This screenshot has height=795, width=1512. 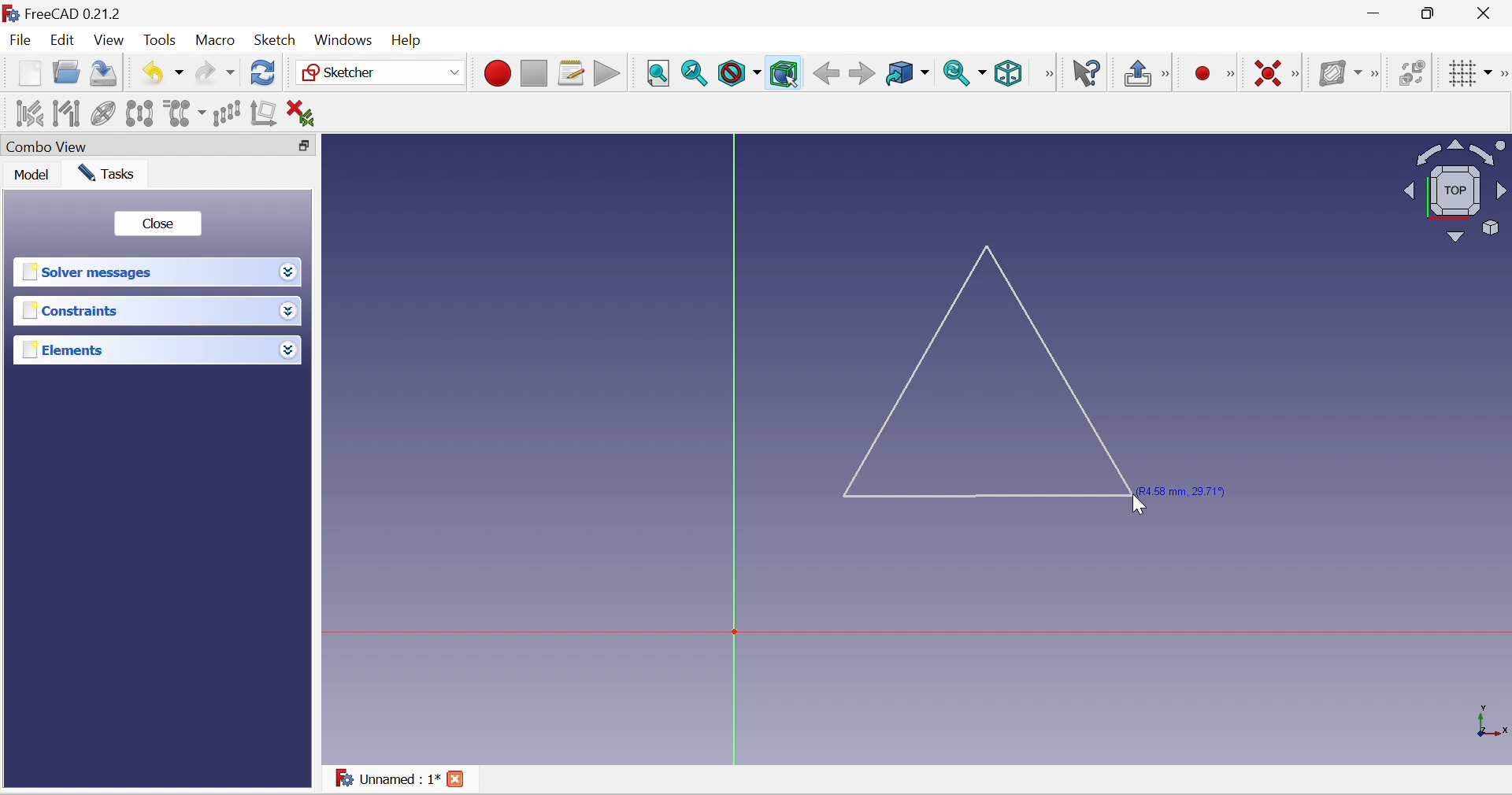 What do you see at coordinates (1171, 75) in the screenshot?
I see `[Sketcher edit mode]` at bounding box center [1171, 75].